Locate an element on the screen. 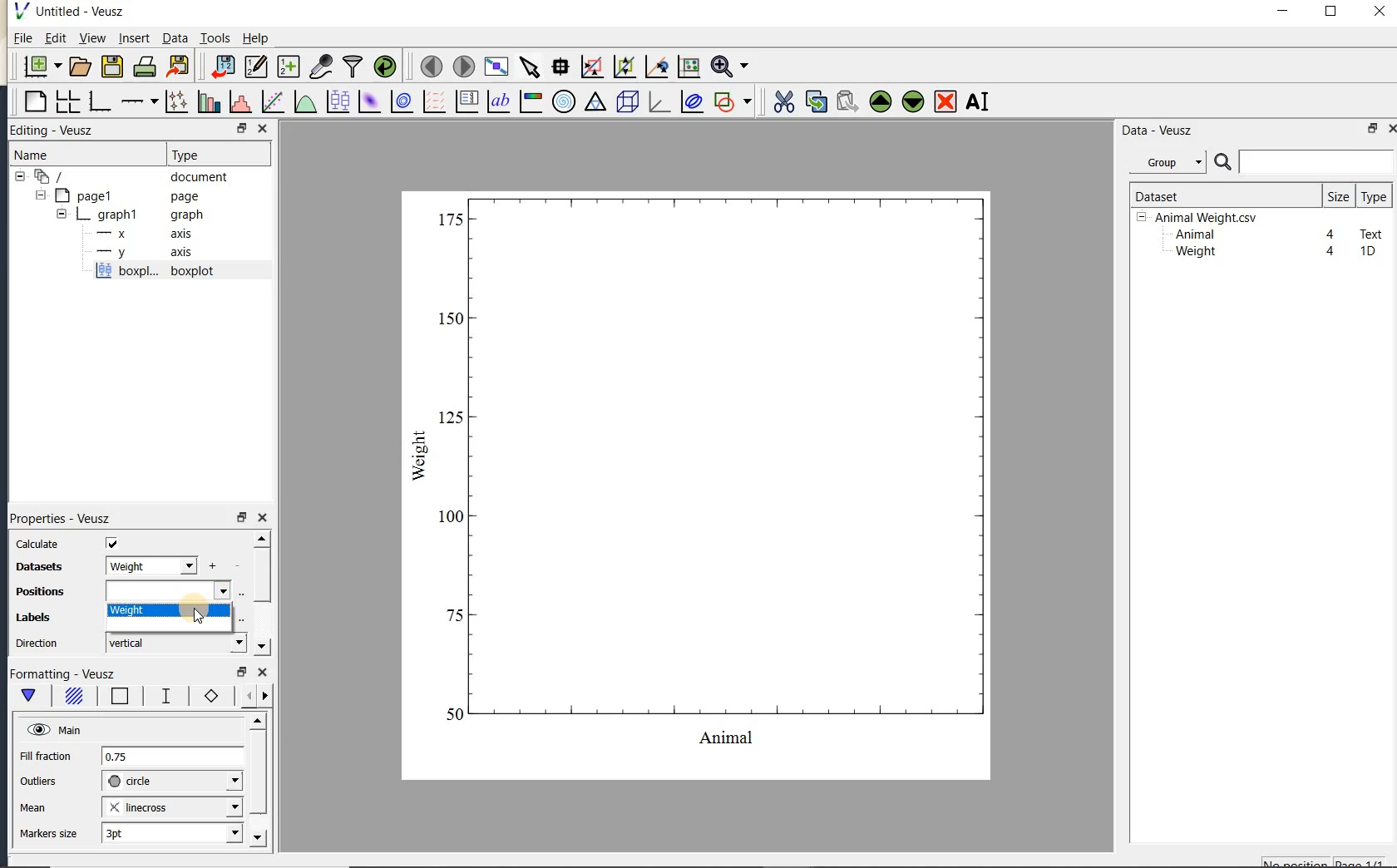  edit and enter new datasets is located at coordinates (255, 67).